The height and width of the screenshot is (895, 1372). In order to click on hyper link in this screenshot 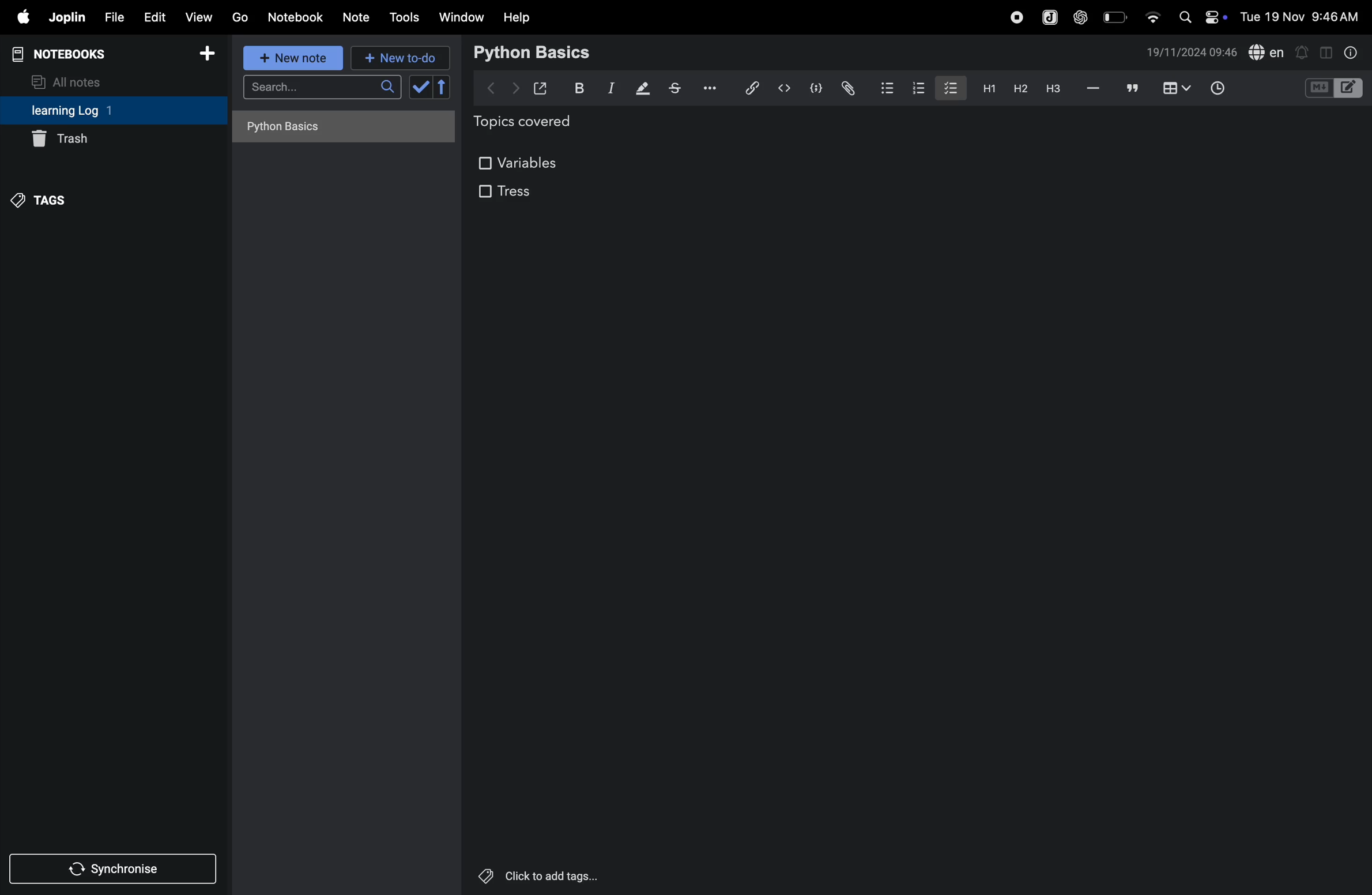, I will do `click(751, 88)`.